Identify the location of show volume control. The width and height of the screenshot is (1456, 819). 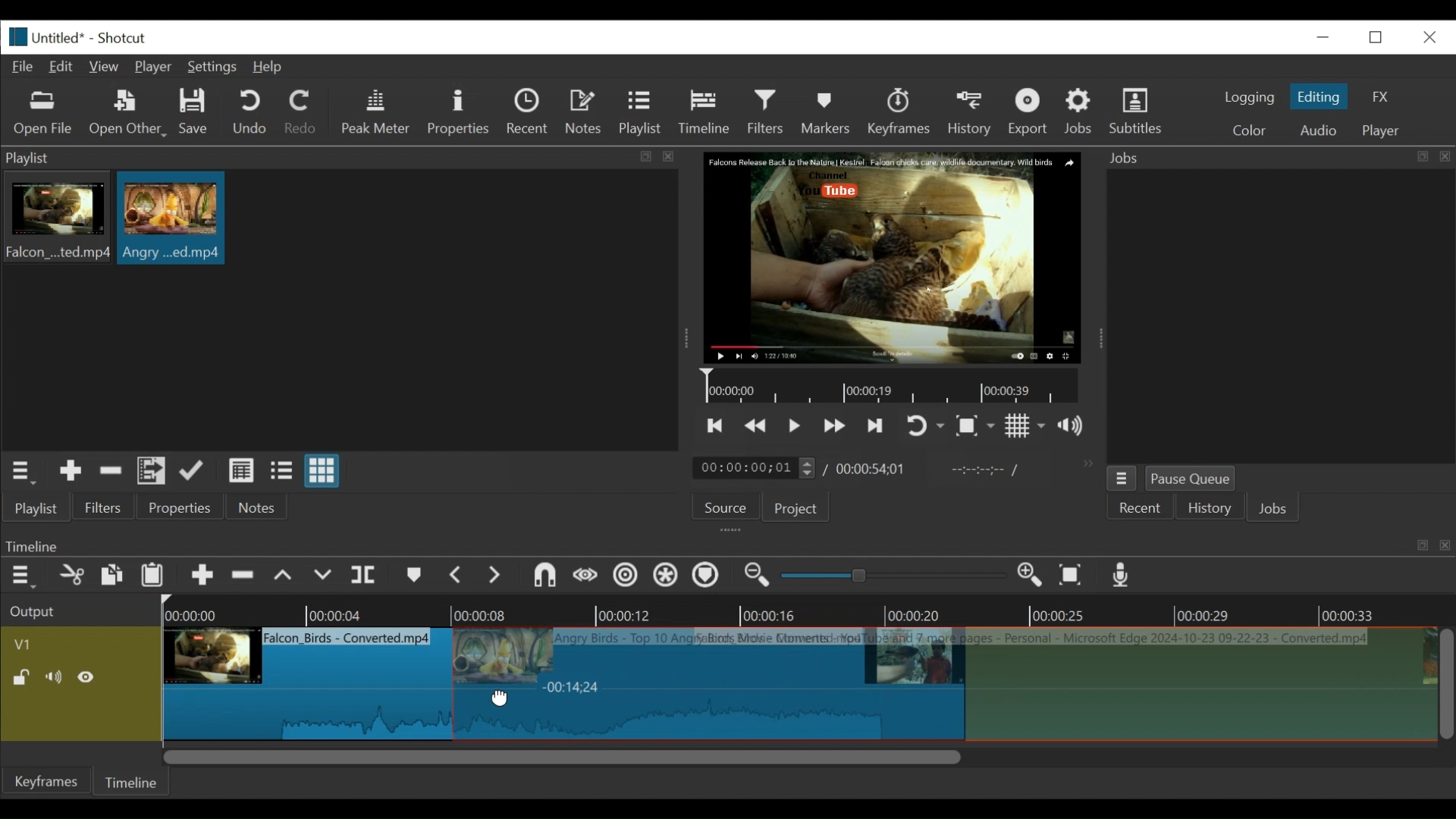
(1077, 427).